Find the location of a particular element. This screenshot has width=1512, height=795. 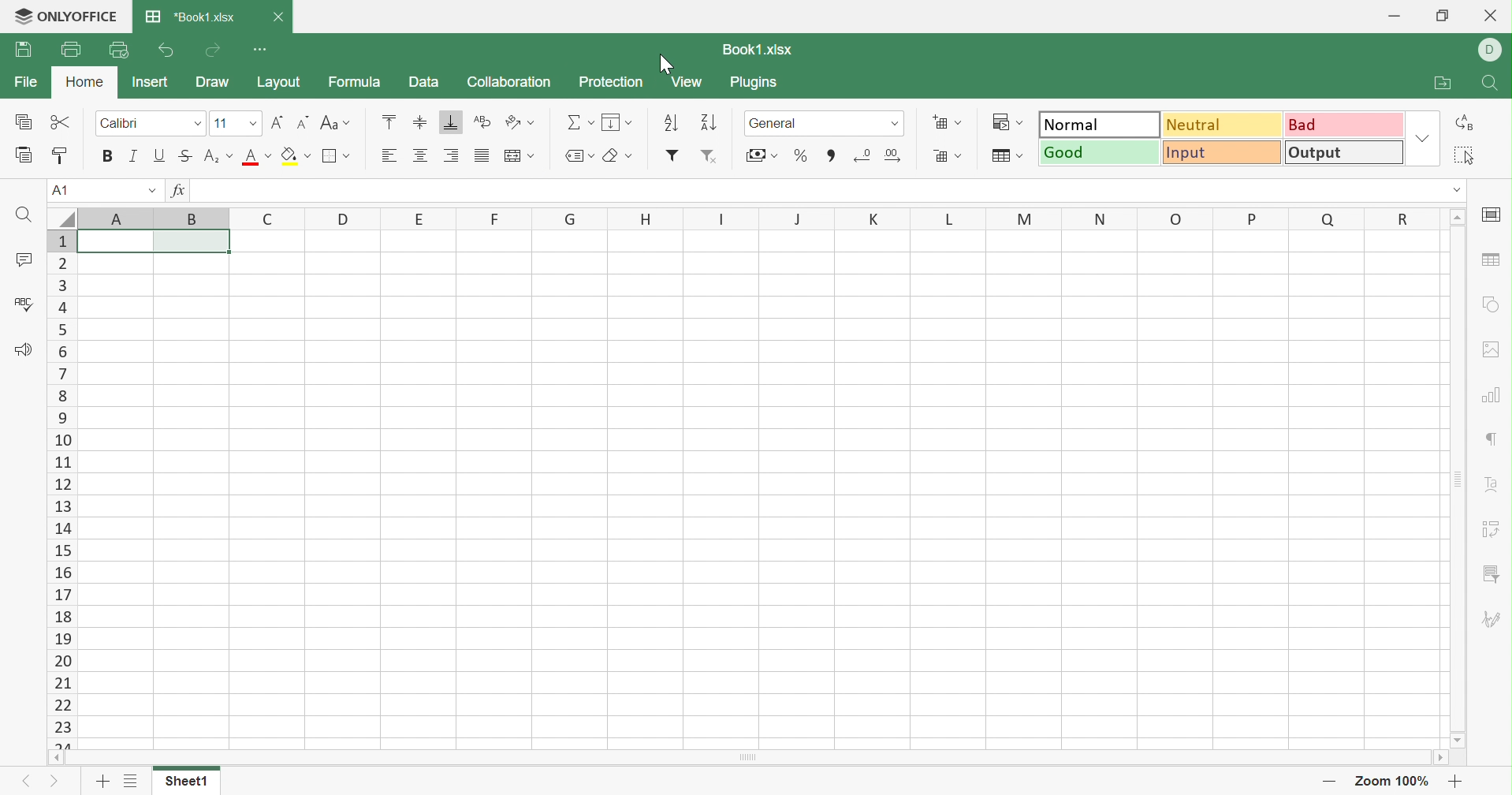

Print is located at coordinates (67, 50).